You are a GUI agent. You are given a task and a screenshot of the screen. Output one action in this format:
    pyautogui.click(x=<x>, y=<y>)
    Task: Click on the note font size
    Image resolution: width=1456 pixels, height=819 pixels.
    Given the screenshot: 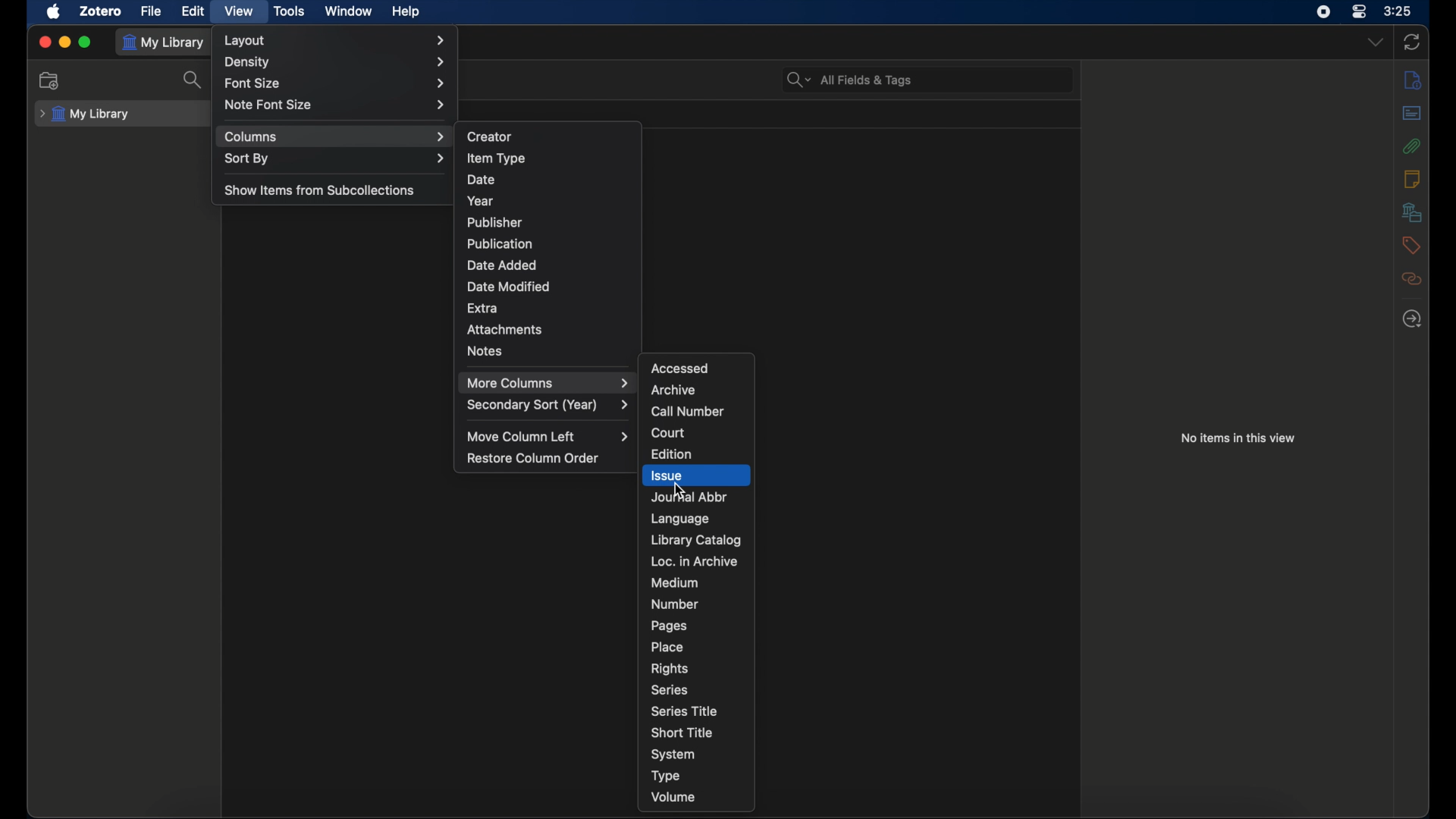 What is the action you would take?
    pyautogui.click(x=334, y=105)
    